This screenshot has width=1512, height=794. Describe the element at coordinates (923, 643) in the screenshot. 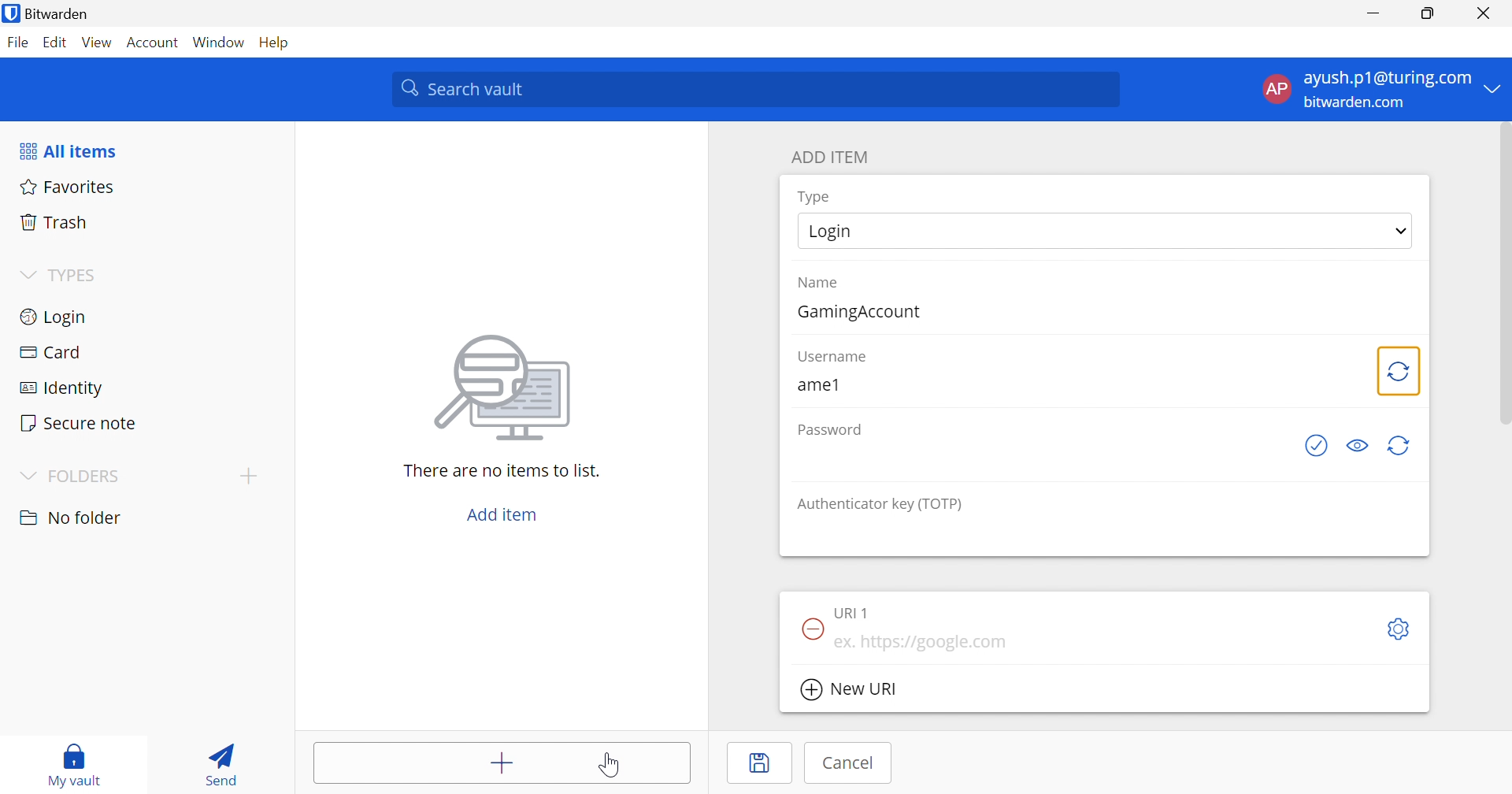

I see `ex. https://google.com` at that location.